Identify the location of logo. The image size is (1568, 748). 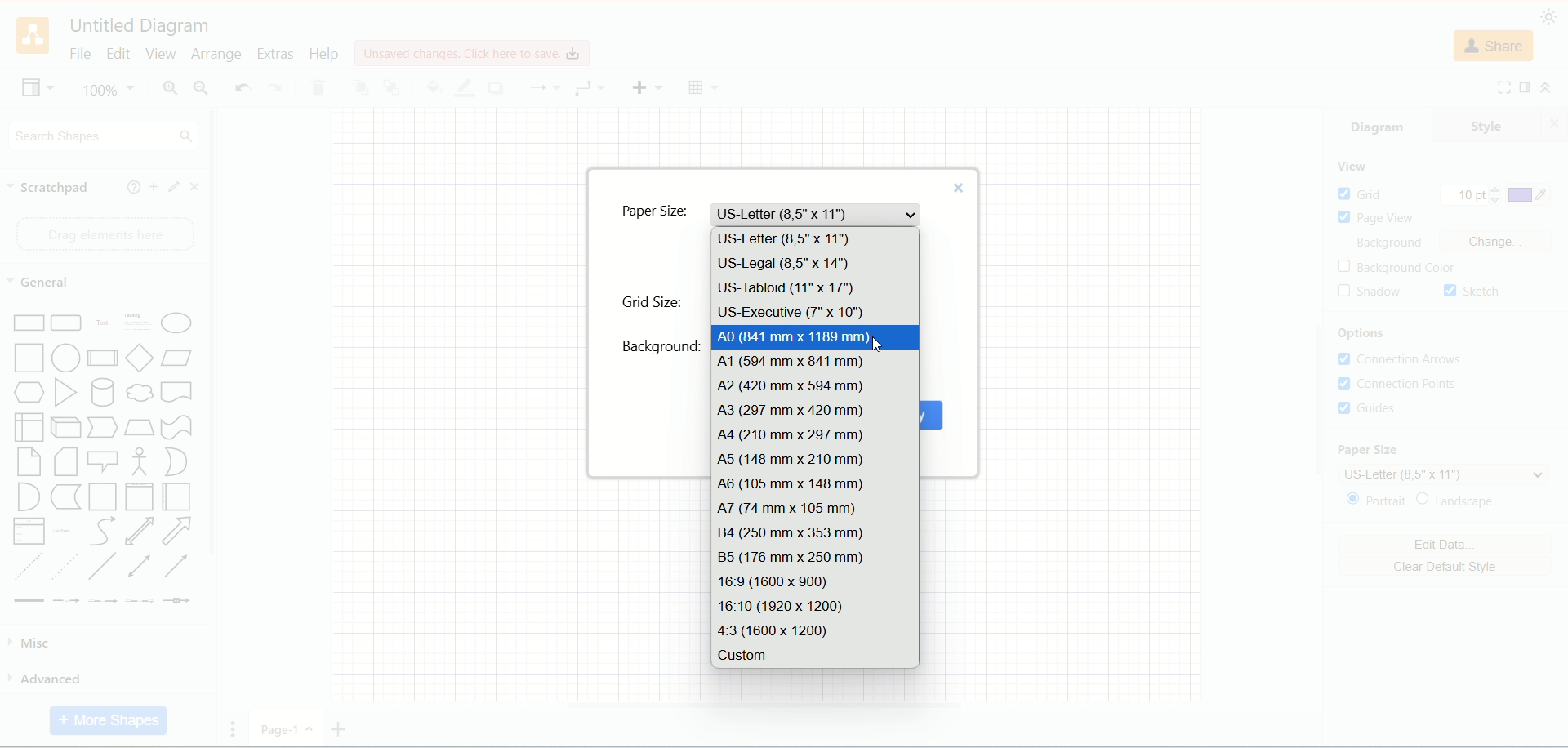
(33, 37).